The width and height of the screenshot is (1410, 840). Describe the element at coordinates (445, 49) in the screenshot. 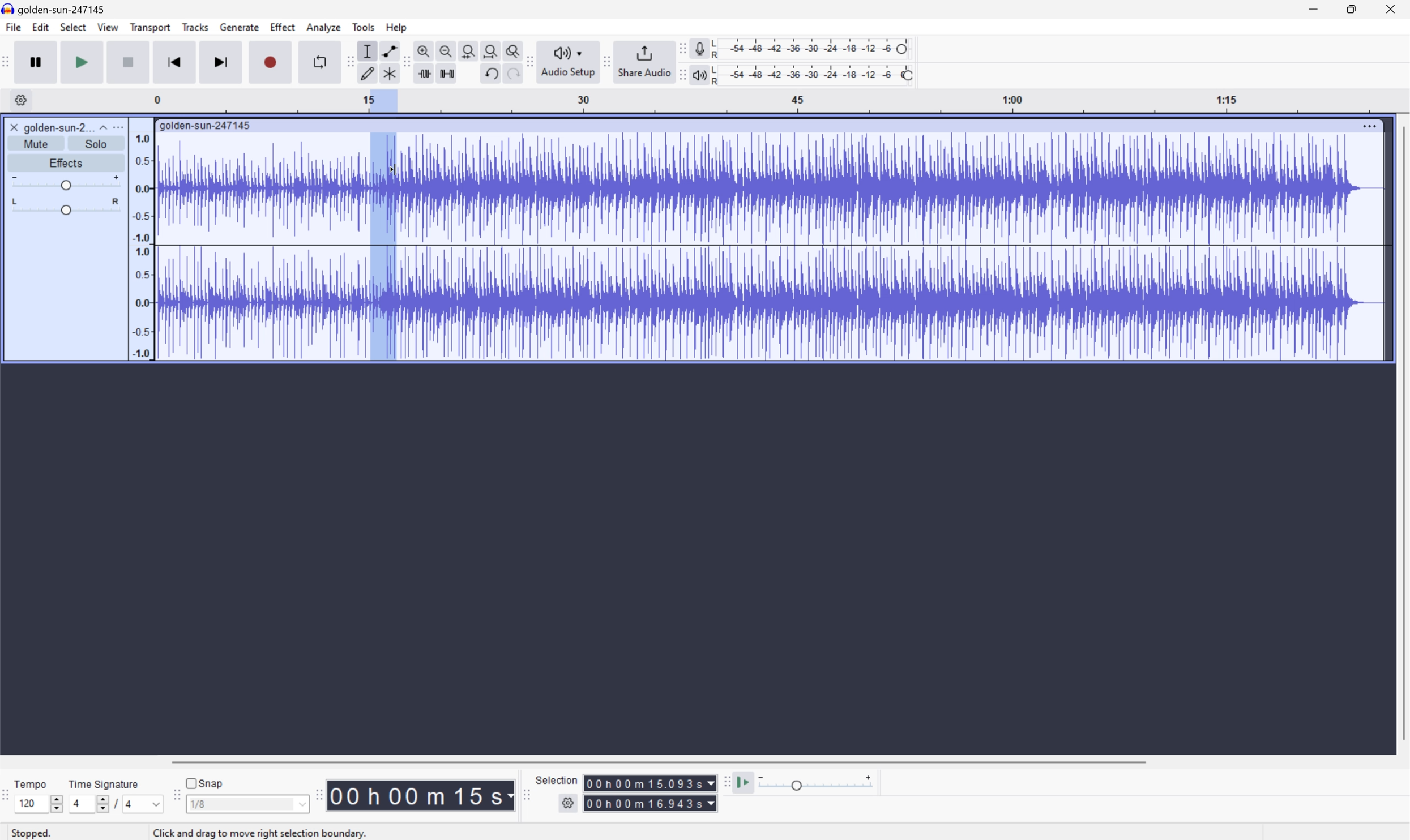

I see `Zoom out` at that location.